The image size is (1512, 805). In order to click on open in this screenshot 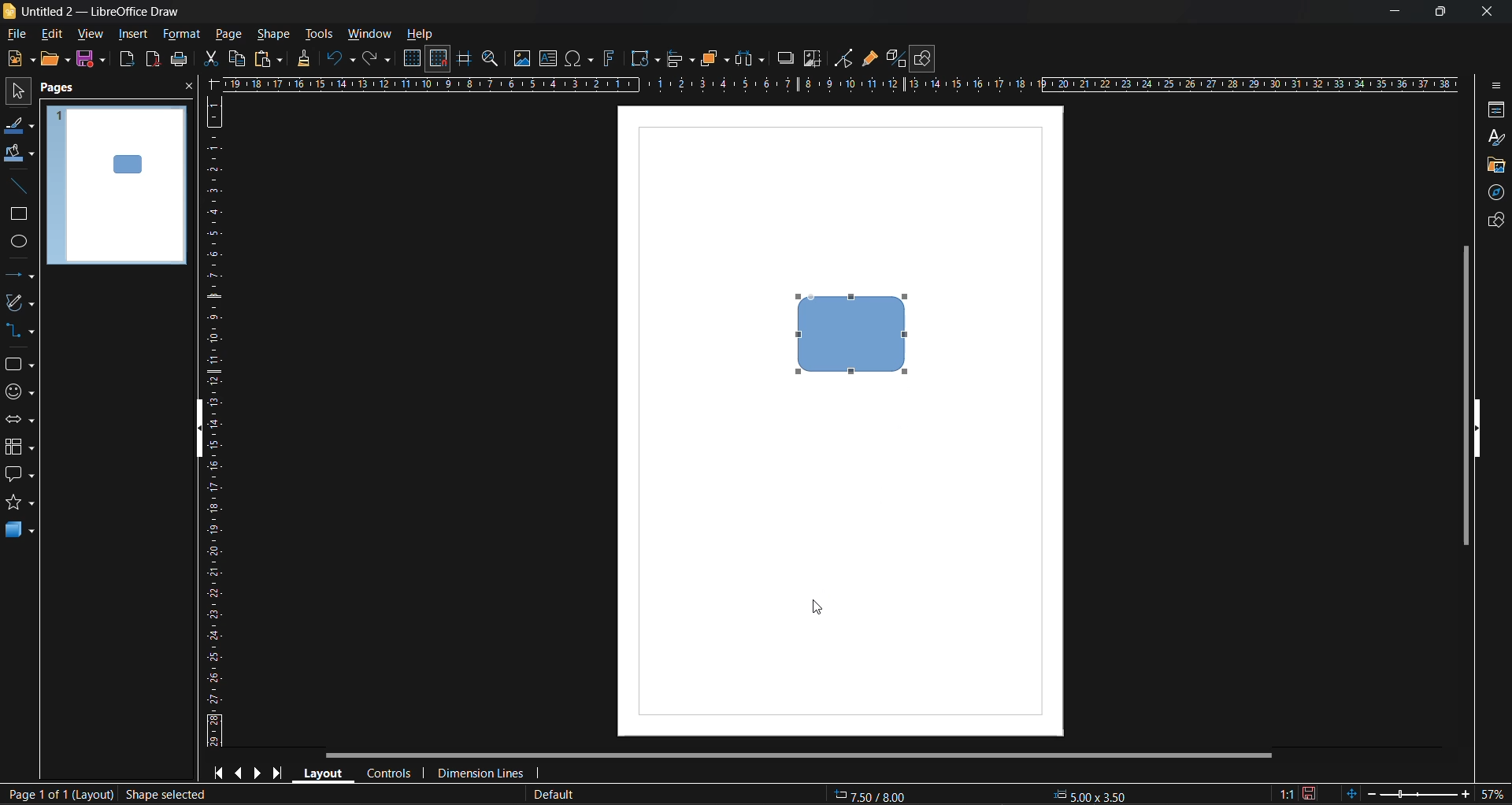, I will do `click(55, 60)`.